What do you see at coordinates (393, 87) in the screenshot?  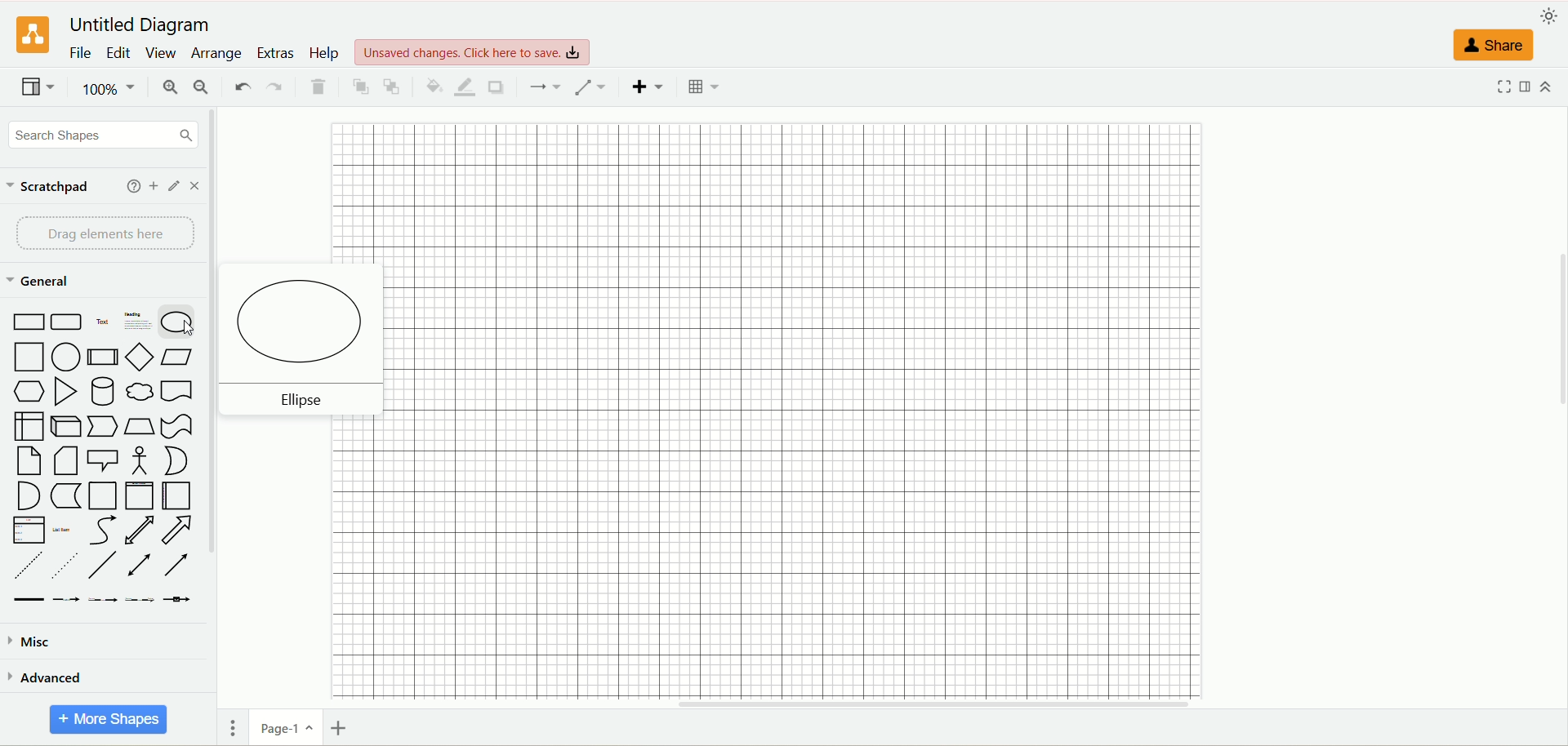 I see `to back` at bounding box center [393, 87].